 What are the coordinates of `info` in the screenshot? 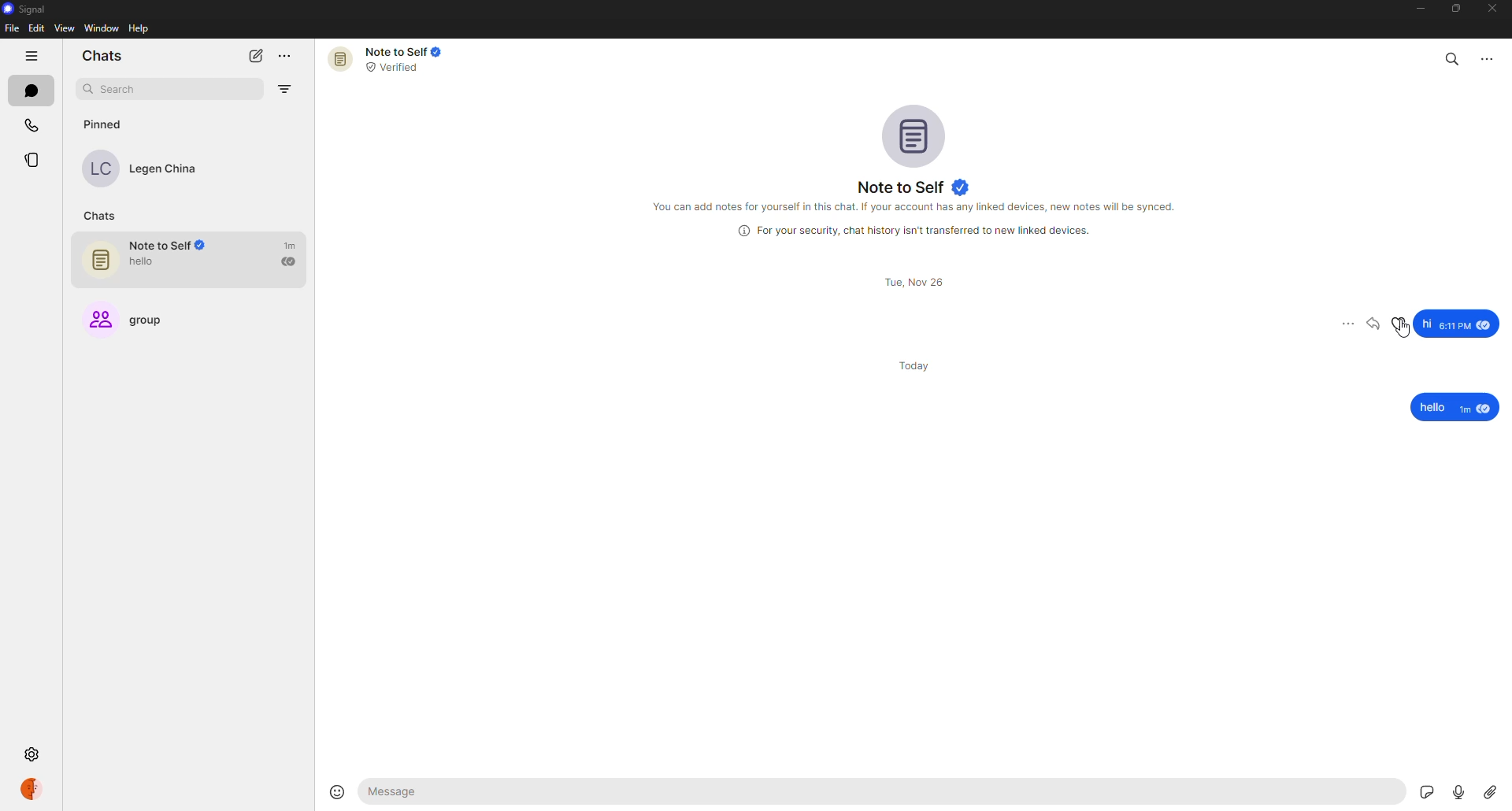 It's located at (917, 206).